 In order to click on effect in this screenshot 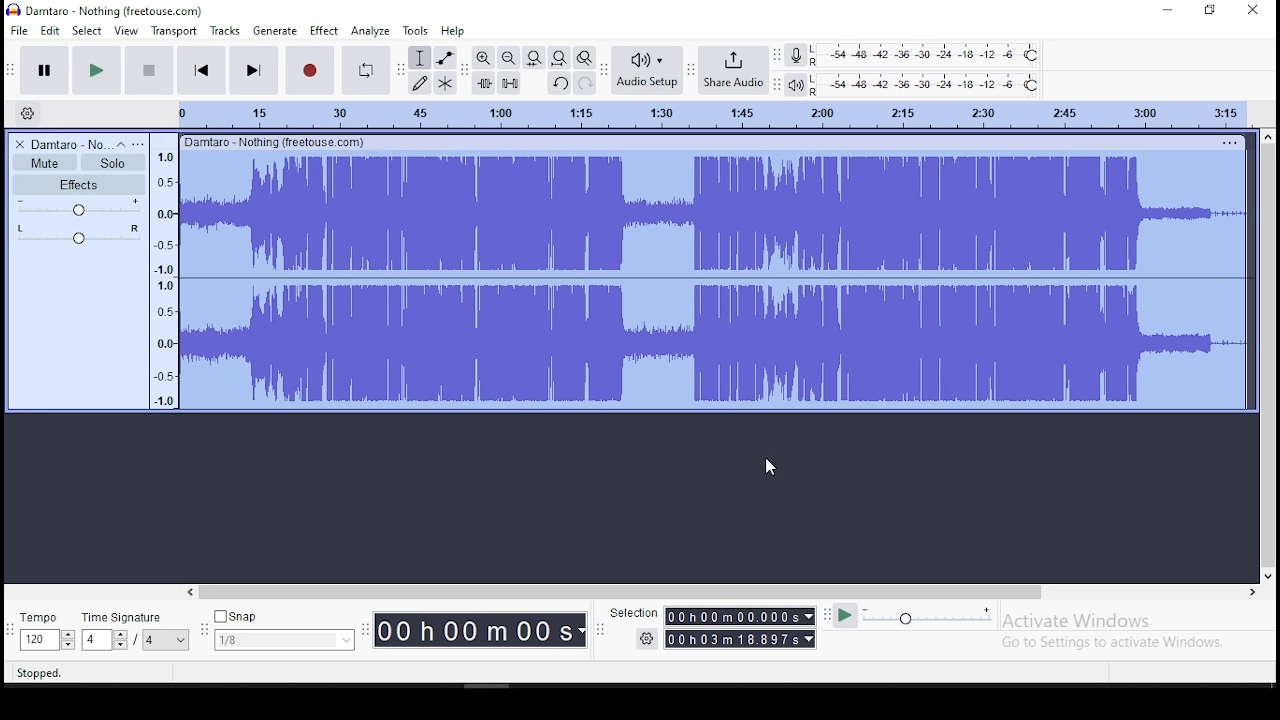, I will do `click(324, 30)`.